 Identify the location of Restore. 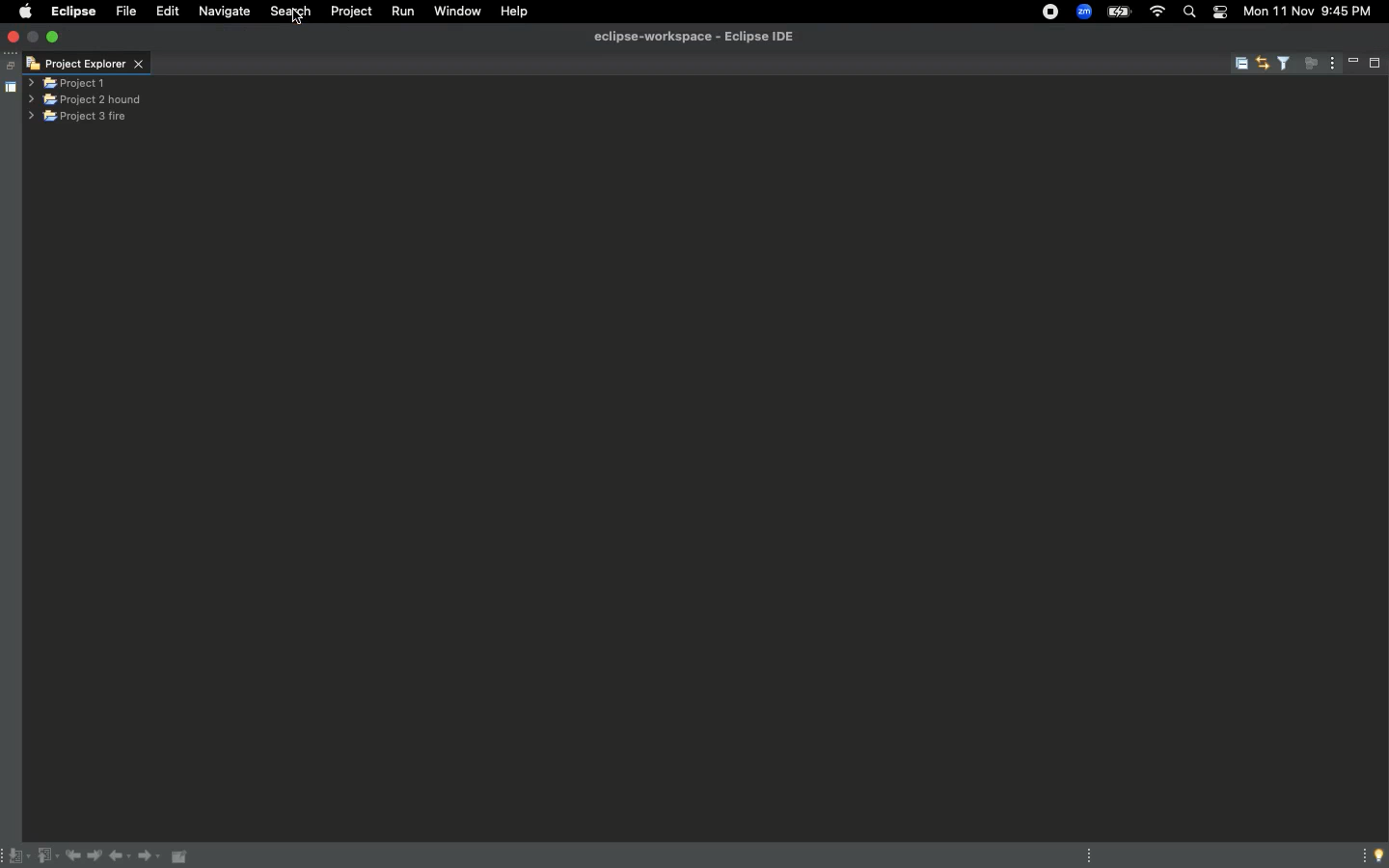
(12, 67).